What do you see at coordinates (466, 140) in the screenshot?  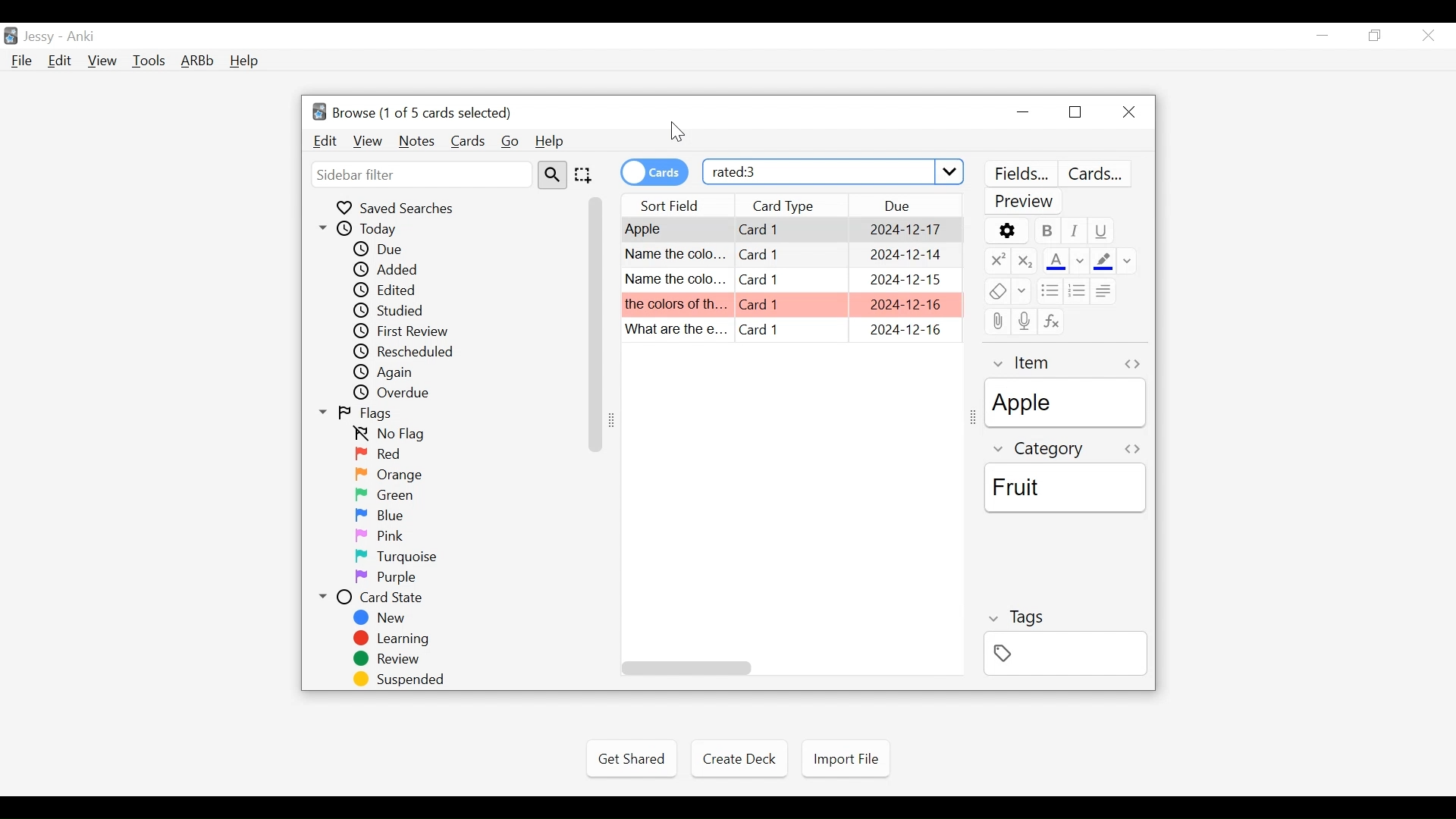 I see `Cards` at bounding box center [466, 140].